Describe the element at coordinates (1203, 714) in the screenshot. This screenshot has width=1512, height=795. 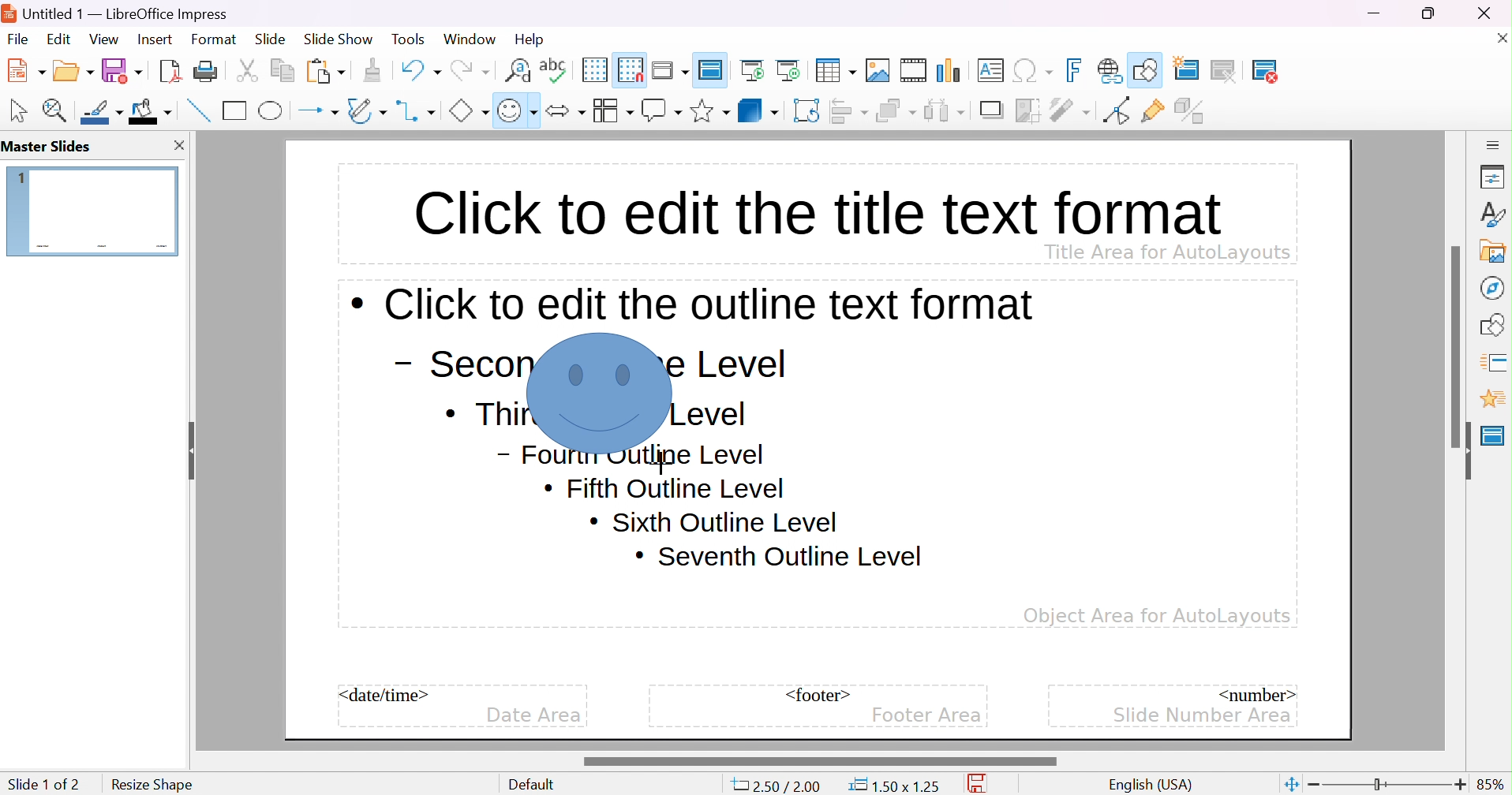
I see `slide number area` at that location.